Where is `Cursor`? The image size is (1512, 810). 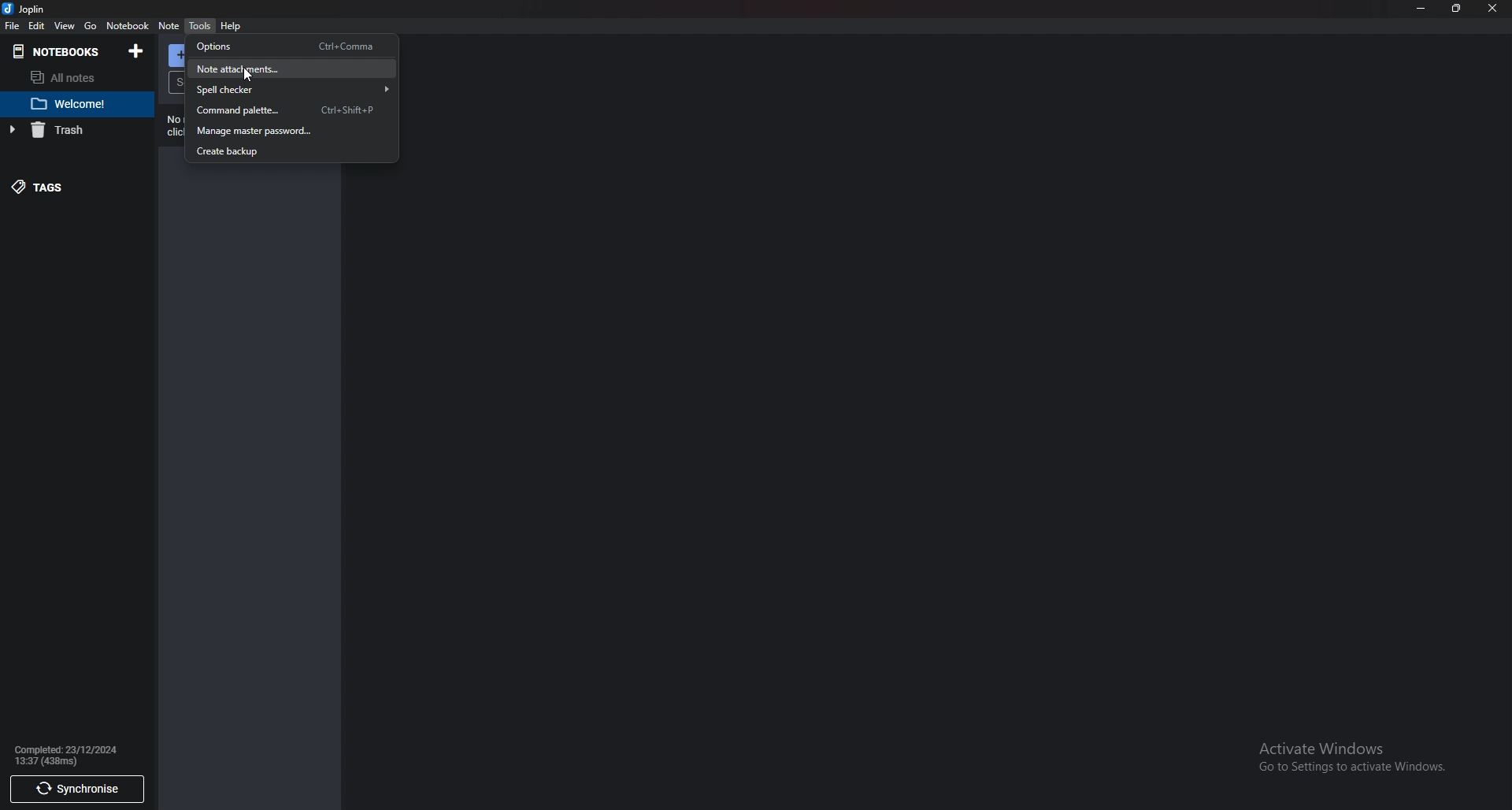 Cursor is located at coordinates (248, 76).